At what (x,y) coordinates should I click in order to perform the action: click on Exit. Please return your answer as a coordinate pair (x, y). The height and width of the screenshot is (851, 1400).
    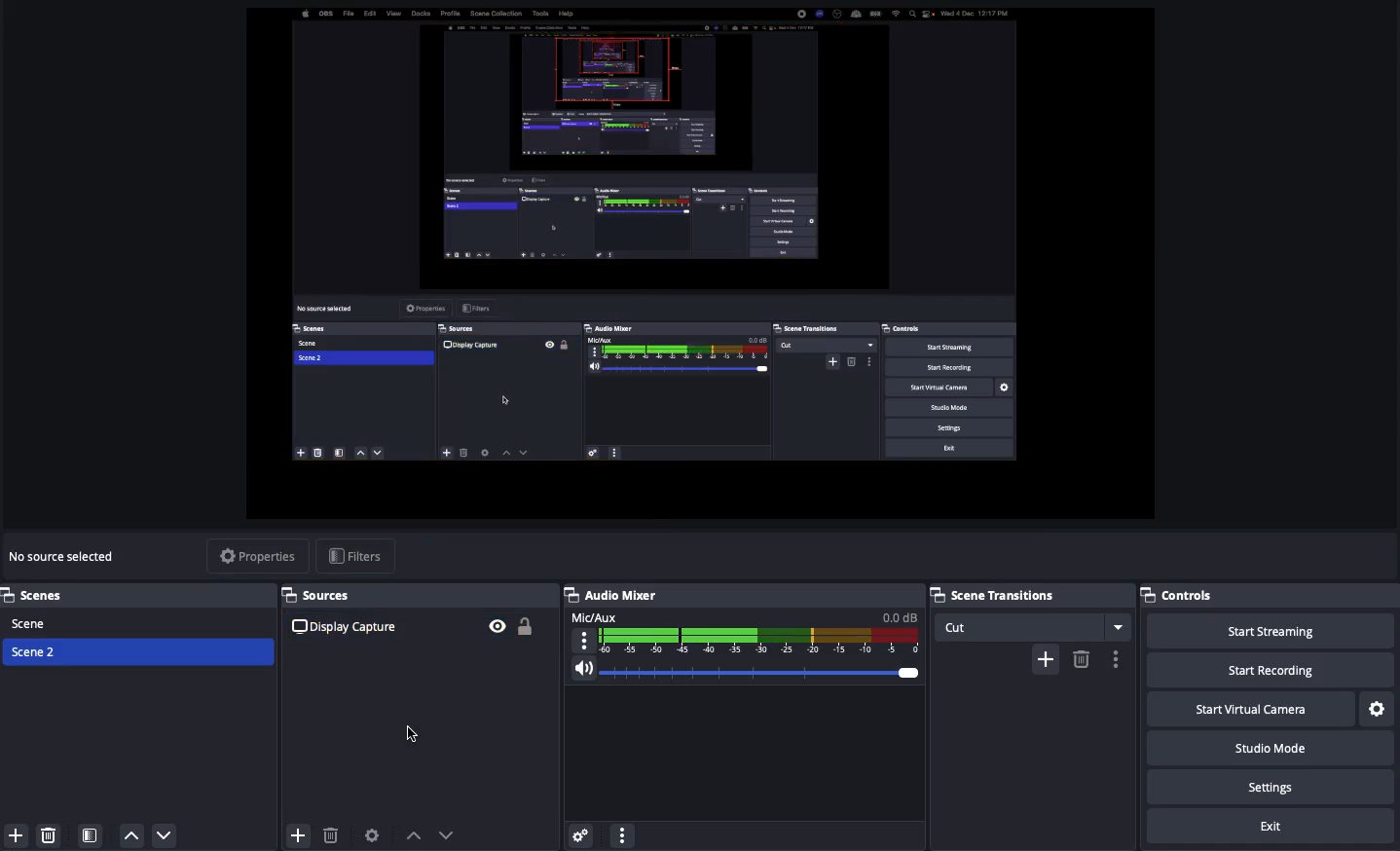
    Looking at the image, I should click on (1271, 824).